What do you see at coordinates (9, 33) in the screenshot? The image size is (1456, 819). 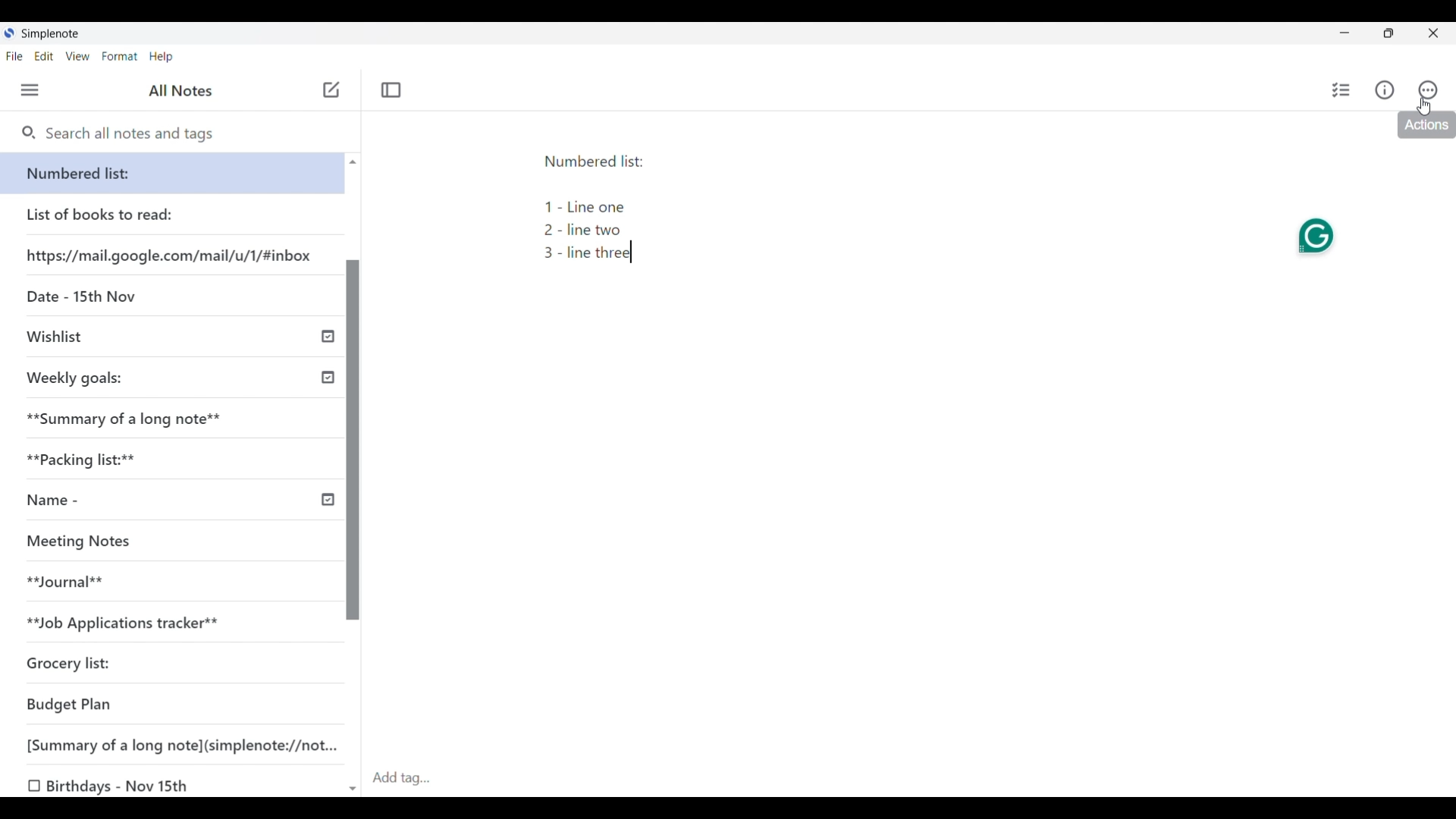 I see `Simplenote logo` at bounding box center [9, 33].